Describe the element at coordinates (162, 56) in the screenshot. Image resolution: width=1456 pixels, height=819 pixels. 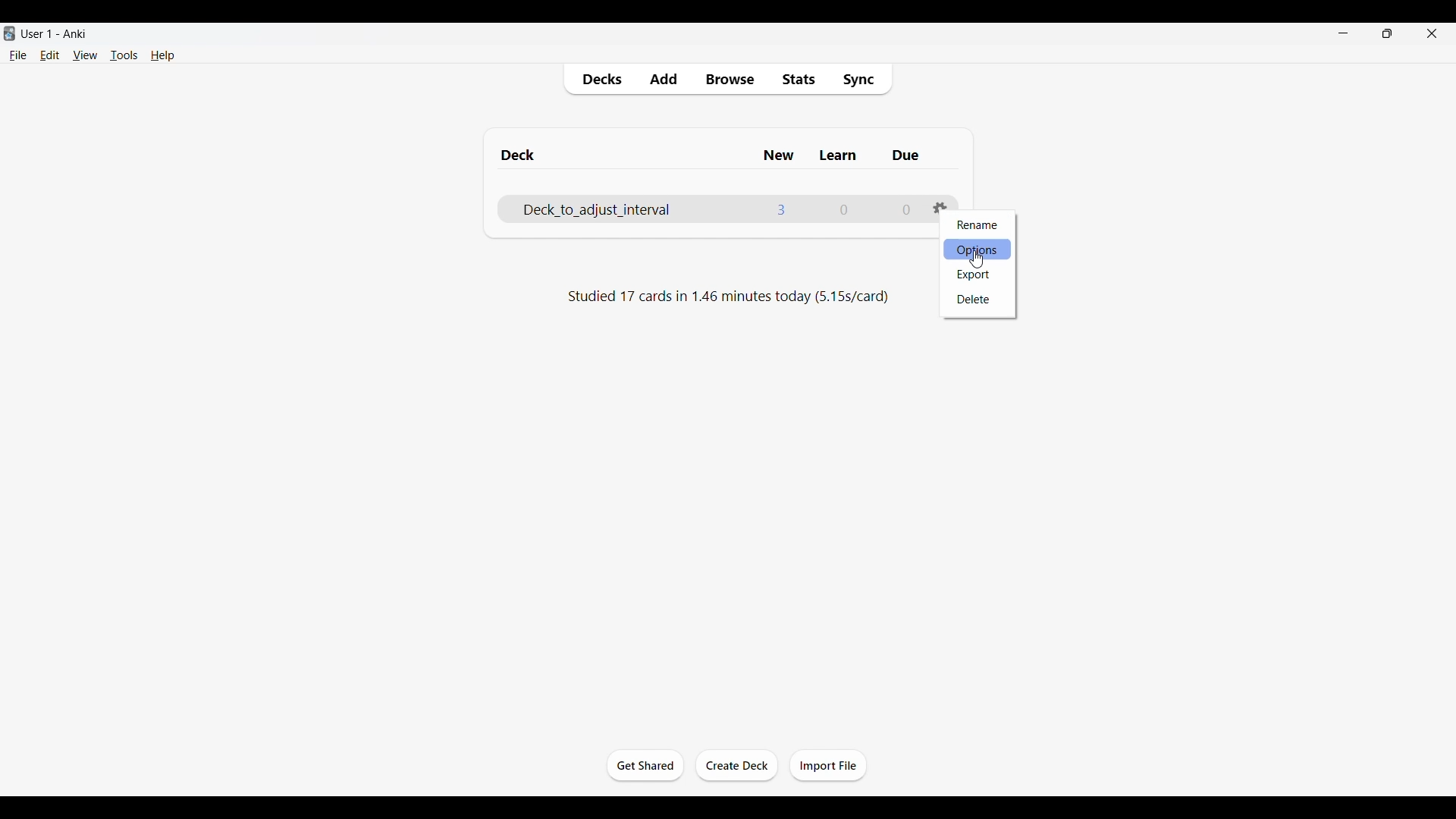
I see `Help menu` at that location.